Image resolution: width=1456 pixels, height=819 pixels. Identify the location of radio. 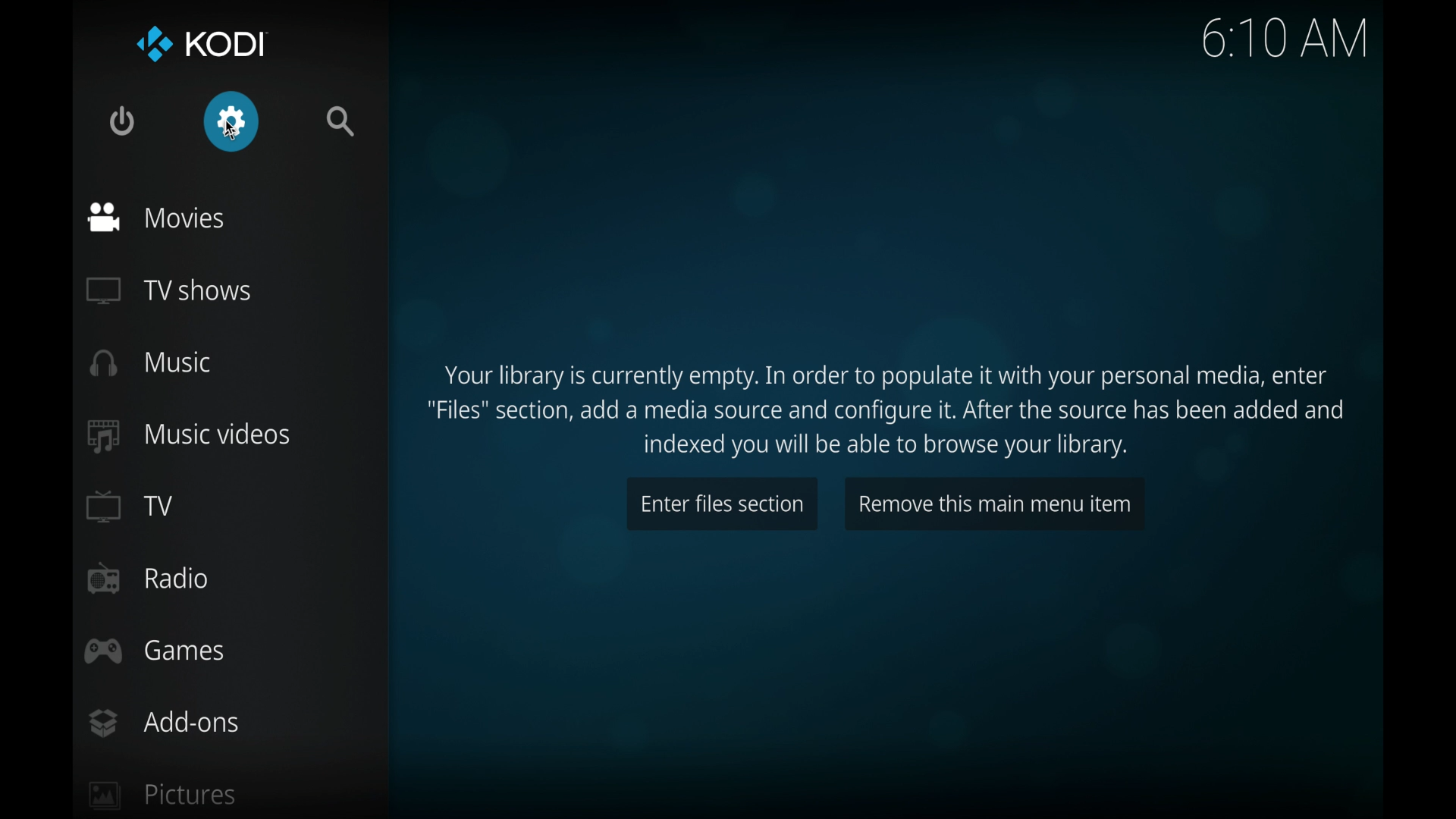
(147, 579).